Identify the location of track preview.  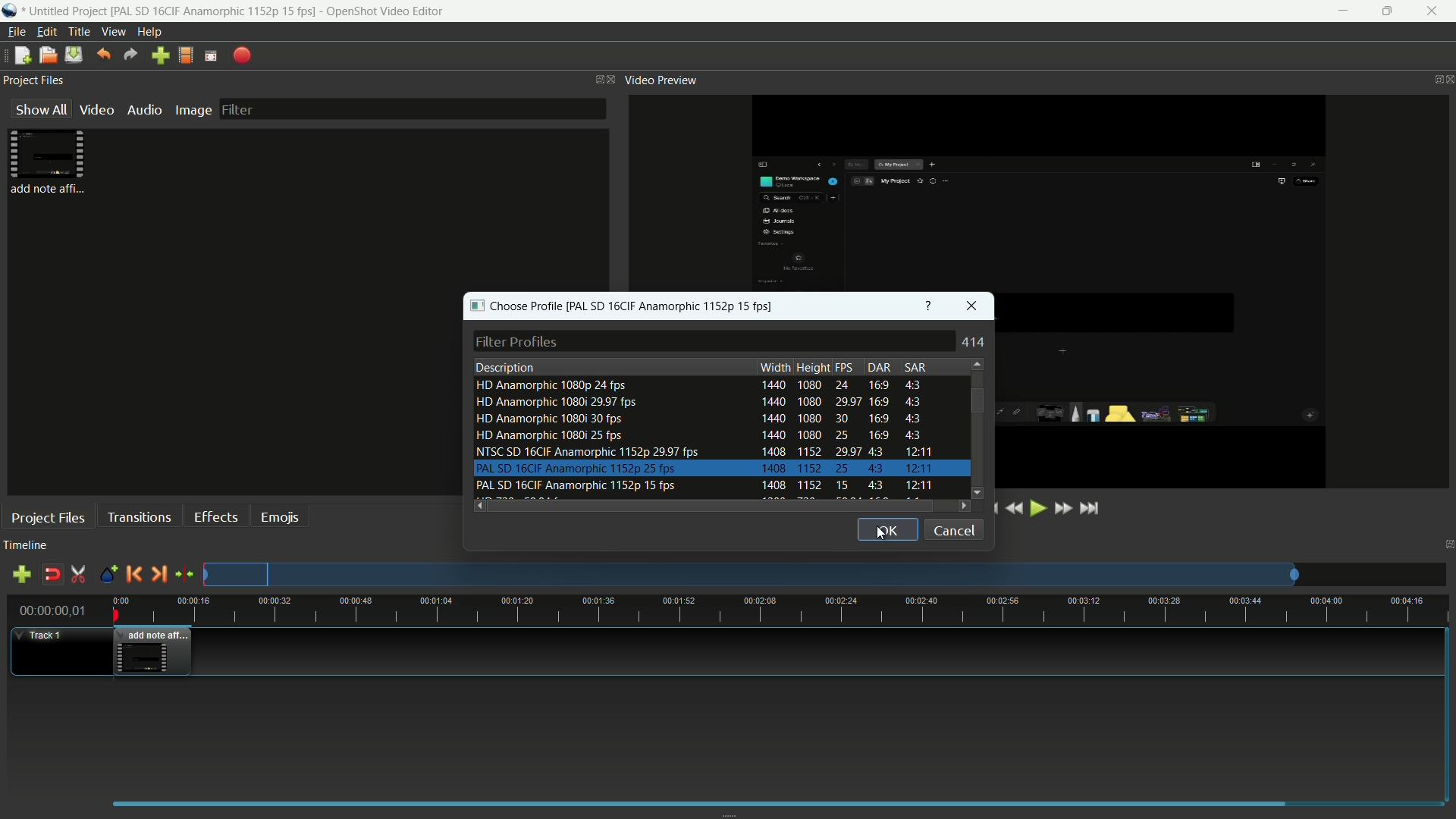
(753, 575).